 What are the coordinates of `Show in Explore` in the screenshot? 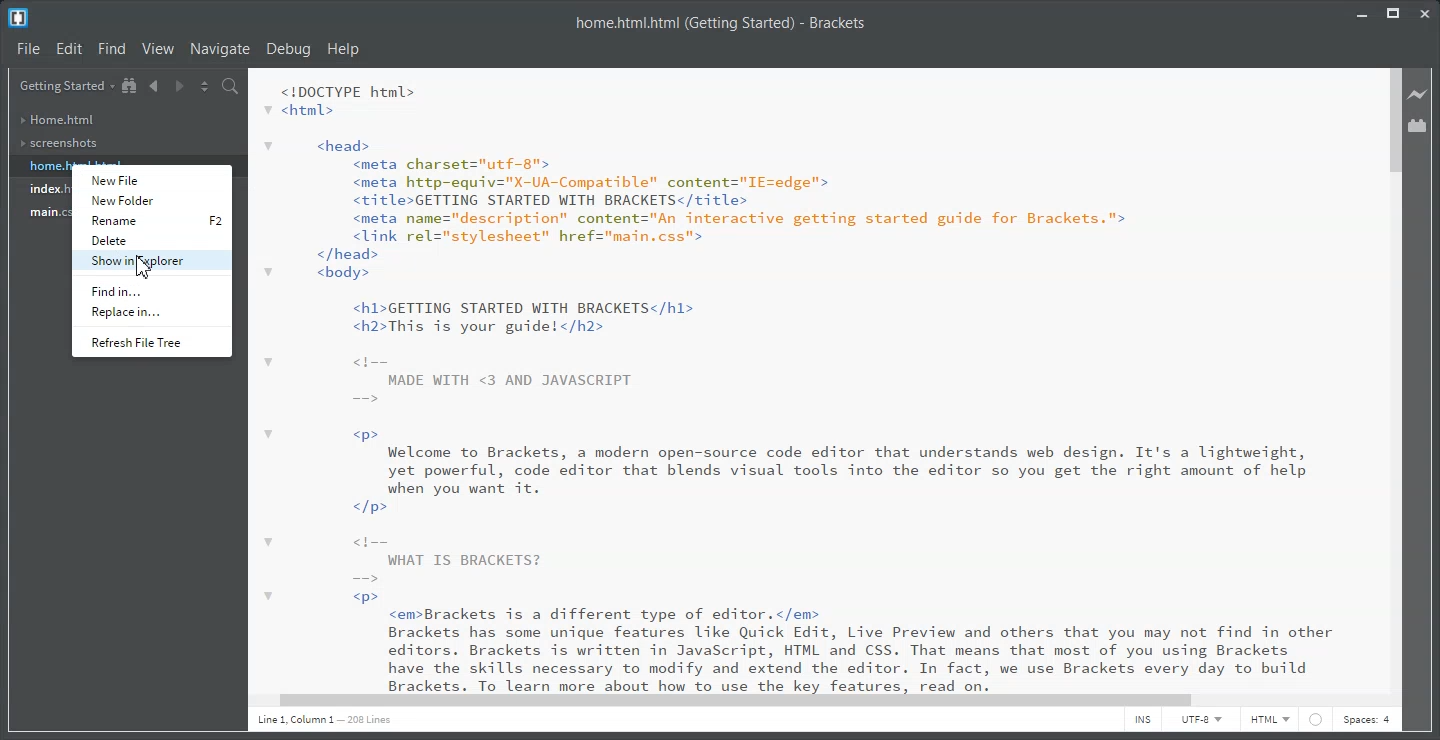 It's located at (150, 260).